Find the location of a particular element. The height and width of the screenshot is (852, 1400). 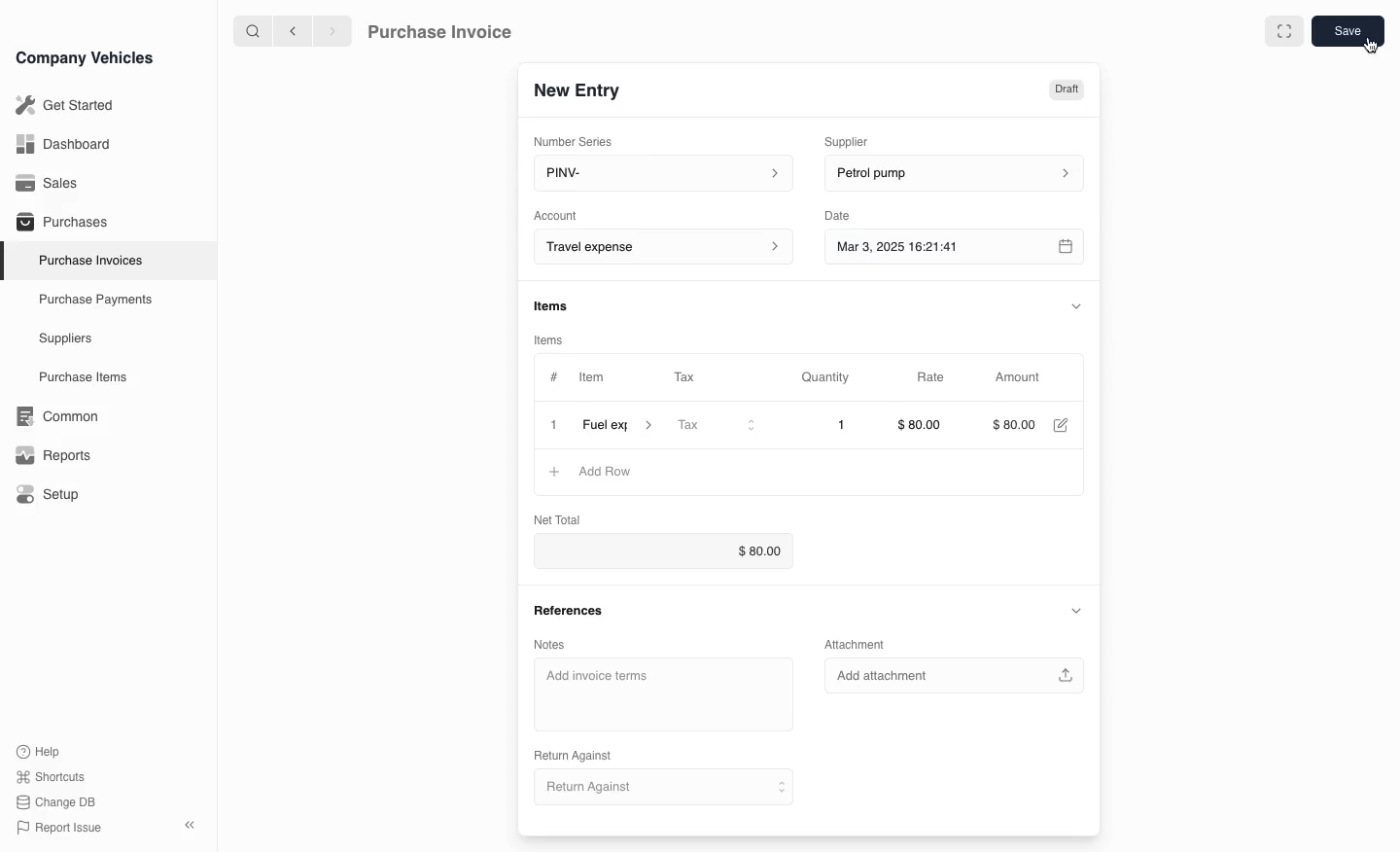

Shortcuts is located at coordinates (52, 778).